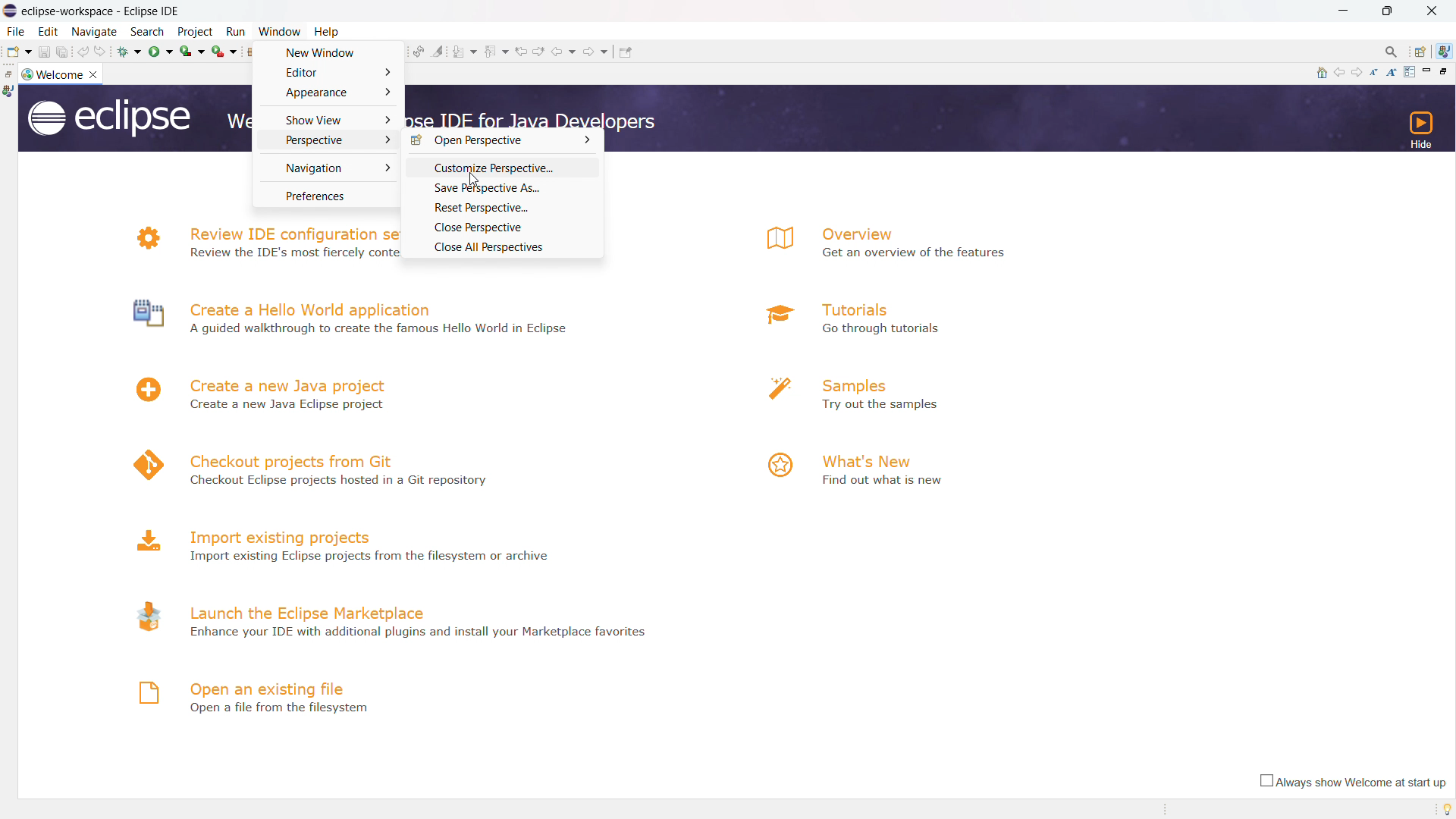 Image resolution: width=1456 pixels, height=819 pixels. What do you see at coordinates (1427, 71) in the screenshot?
I see `minimize page` at bounding box center [1427, 71].